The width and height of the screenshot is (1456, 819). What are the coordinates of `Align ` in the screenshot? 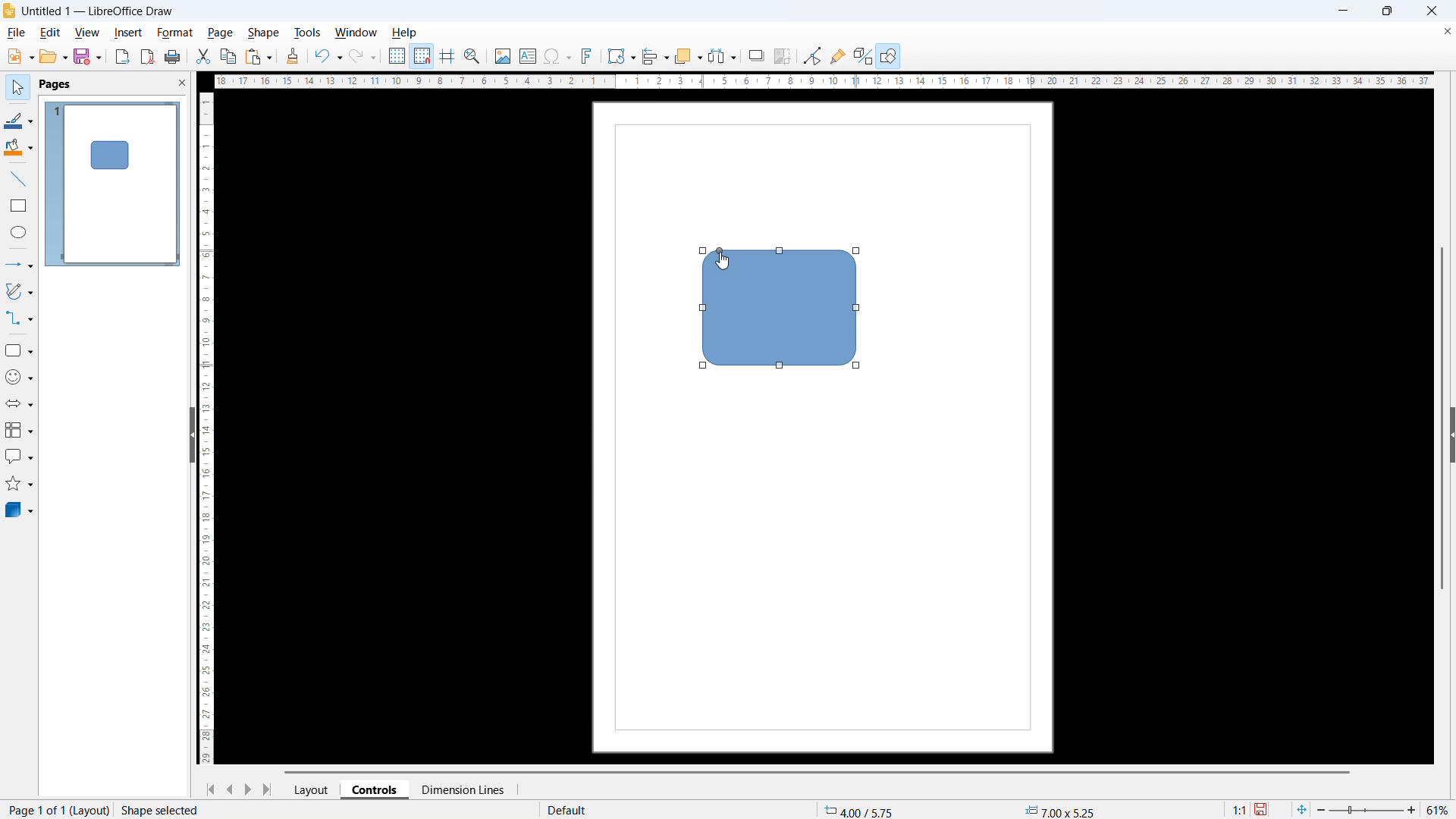 It's located at (655, 57).